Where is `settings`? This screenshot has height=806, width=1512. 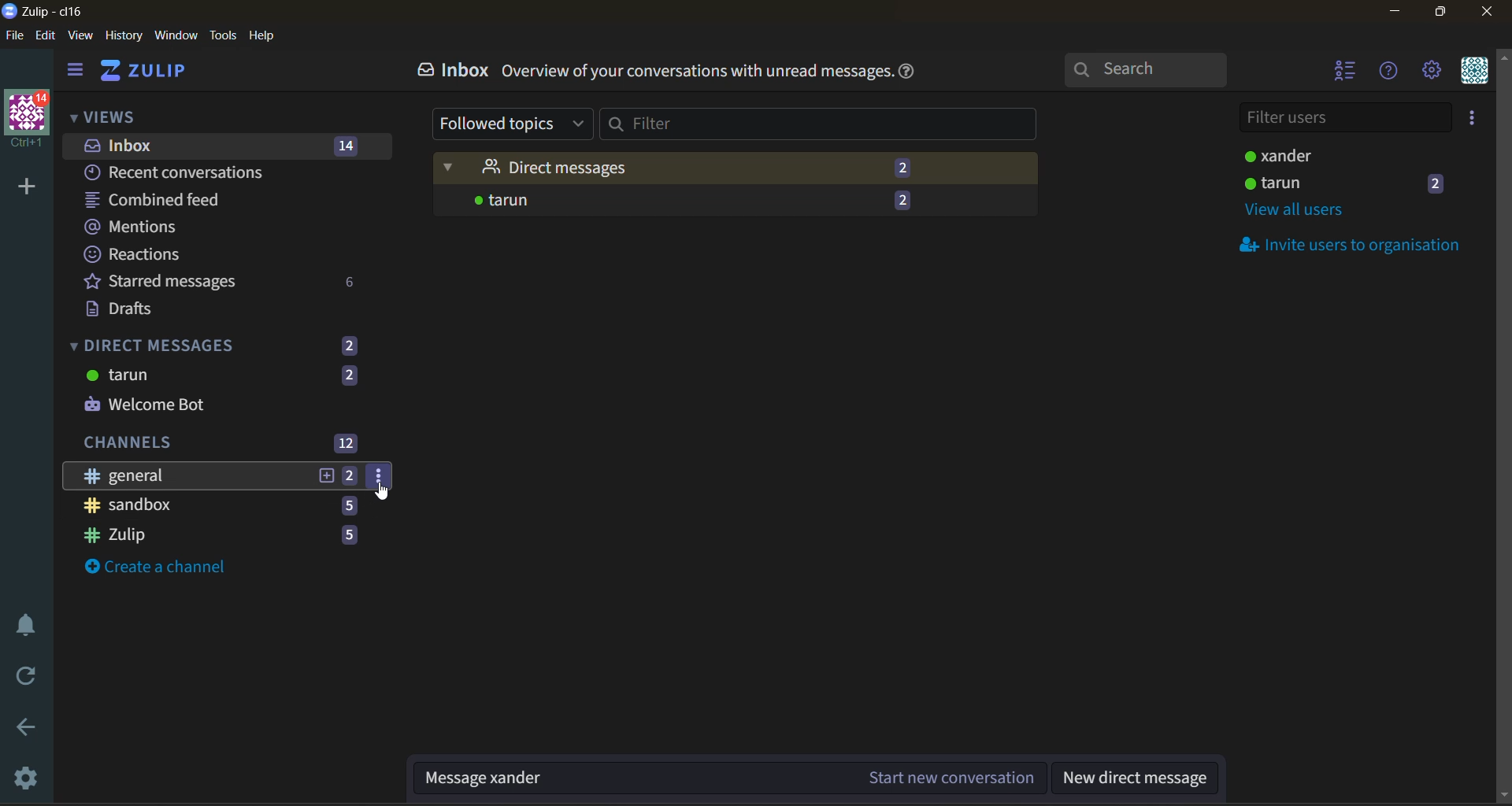
settings is located at coordinates (31, 778).